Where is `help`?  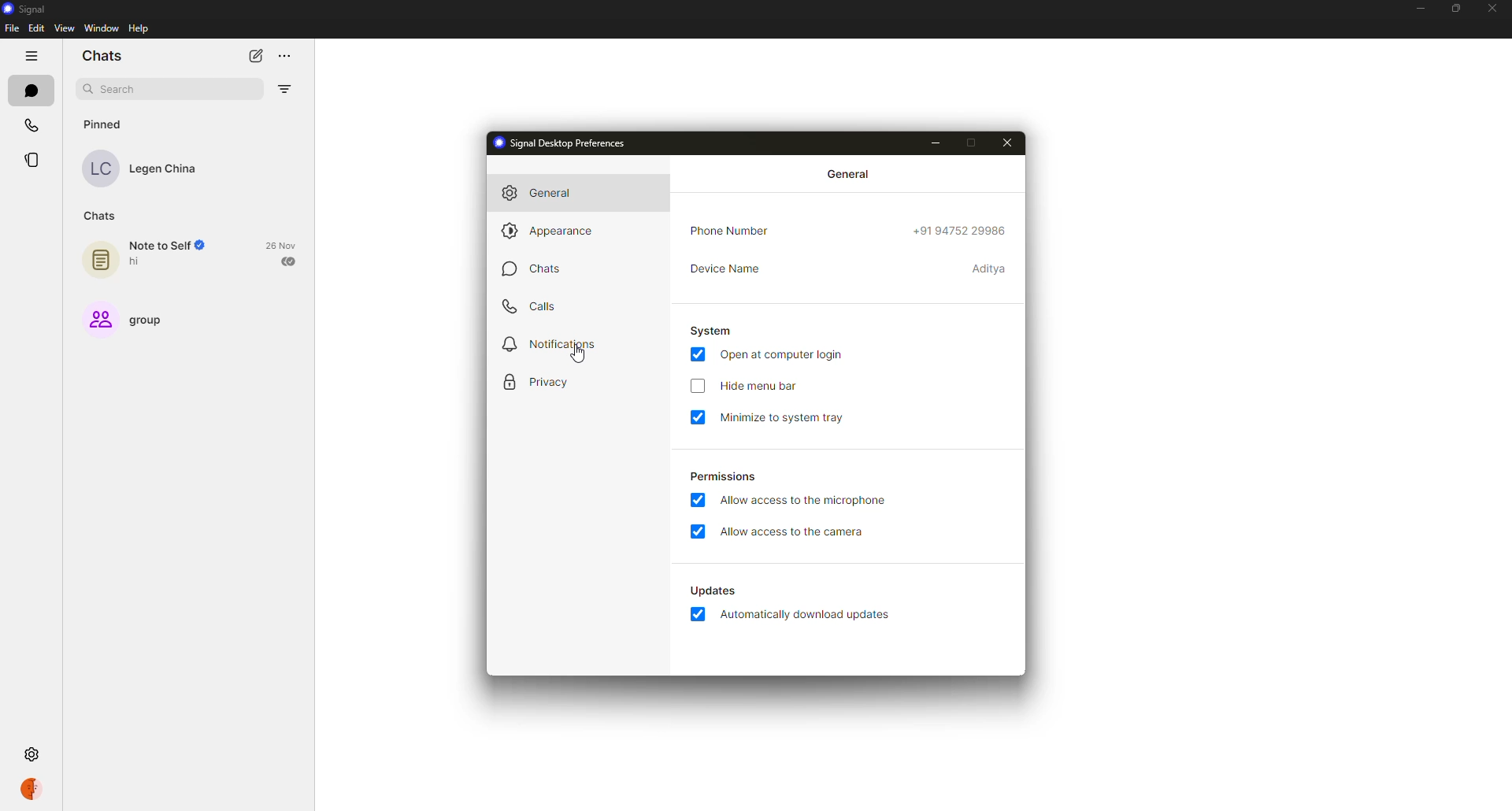 help is located at coordinates (141, 28).